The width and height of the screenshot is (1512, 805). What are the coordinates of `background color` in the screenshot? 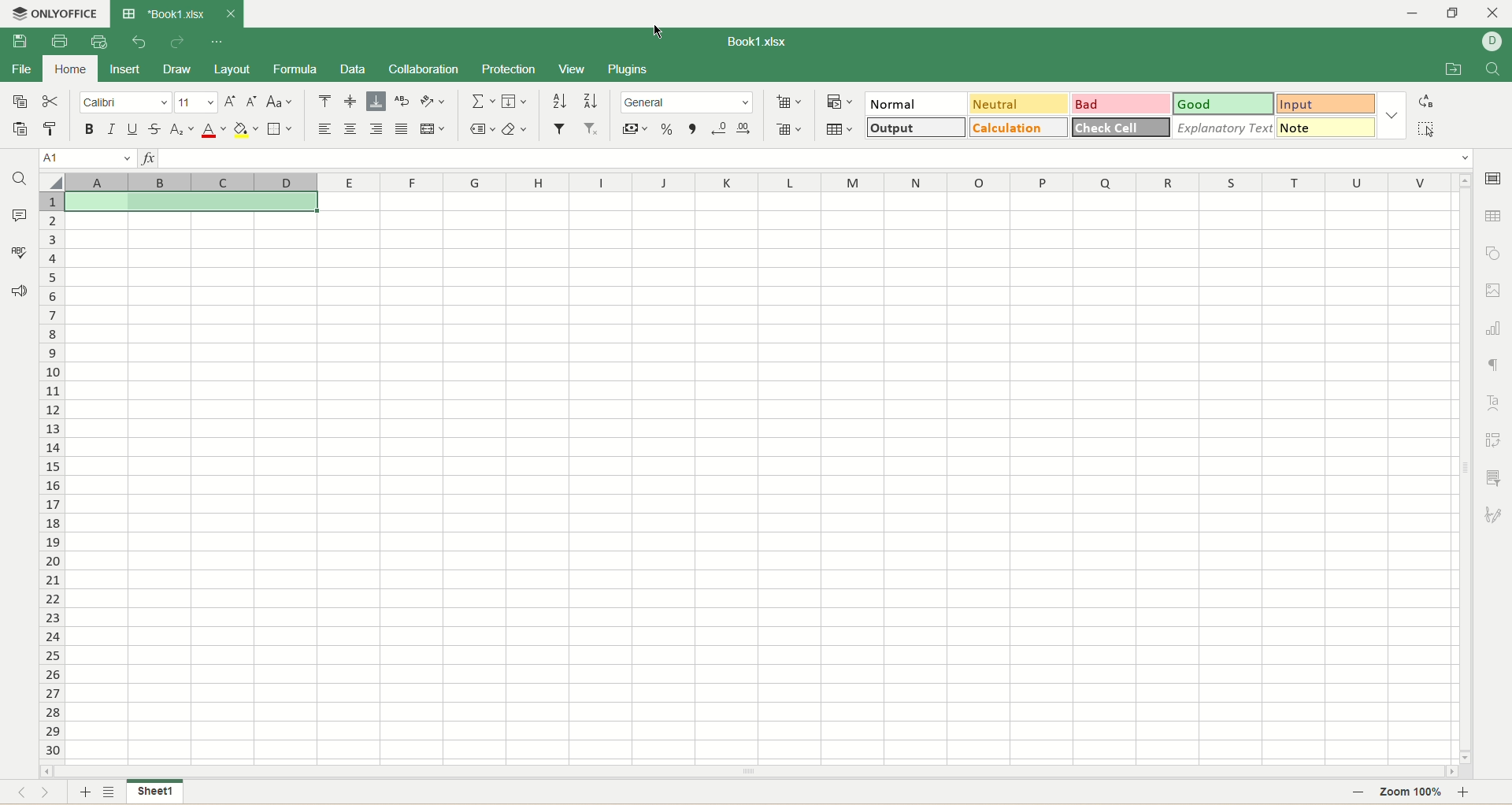 It's located at (245, 129).